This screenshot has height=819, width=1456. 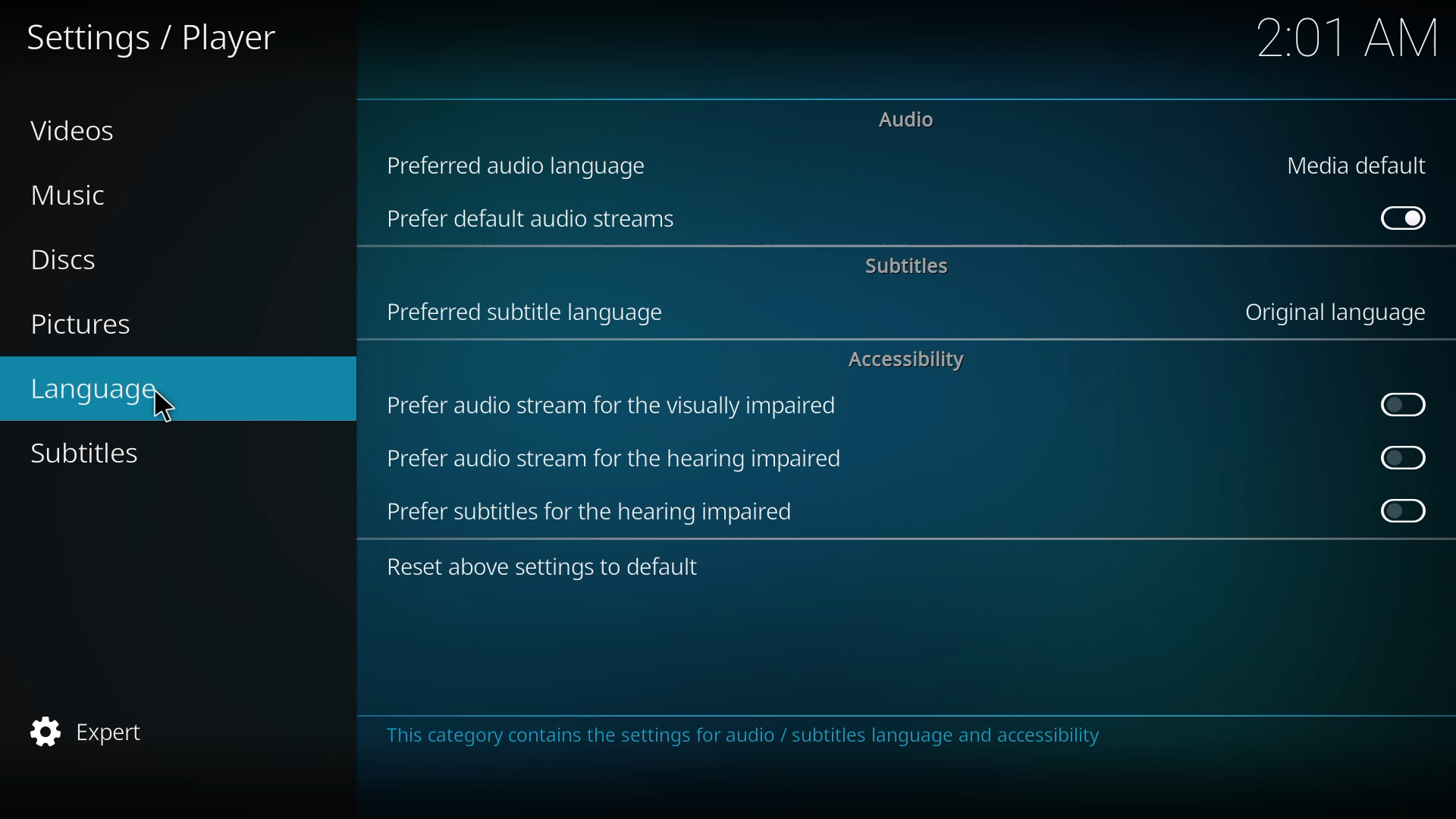 I want to click on subtitles, so click(x=89, y=454).